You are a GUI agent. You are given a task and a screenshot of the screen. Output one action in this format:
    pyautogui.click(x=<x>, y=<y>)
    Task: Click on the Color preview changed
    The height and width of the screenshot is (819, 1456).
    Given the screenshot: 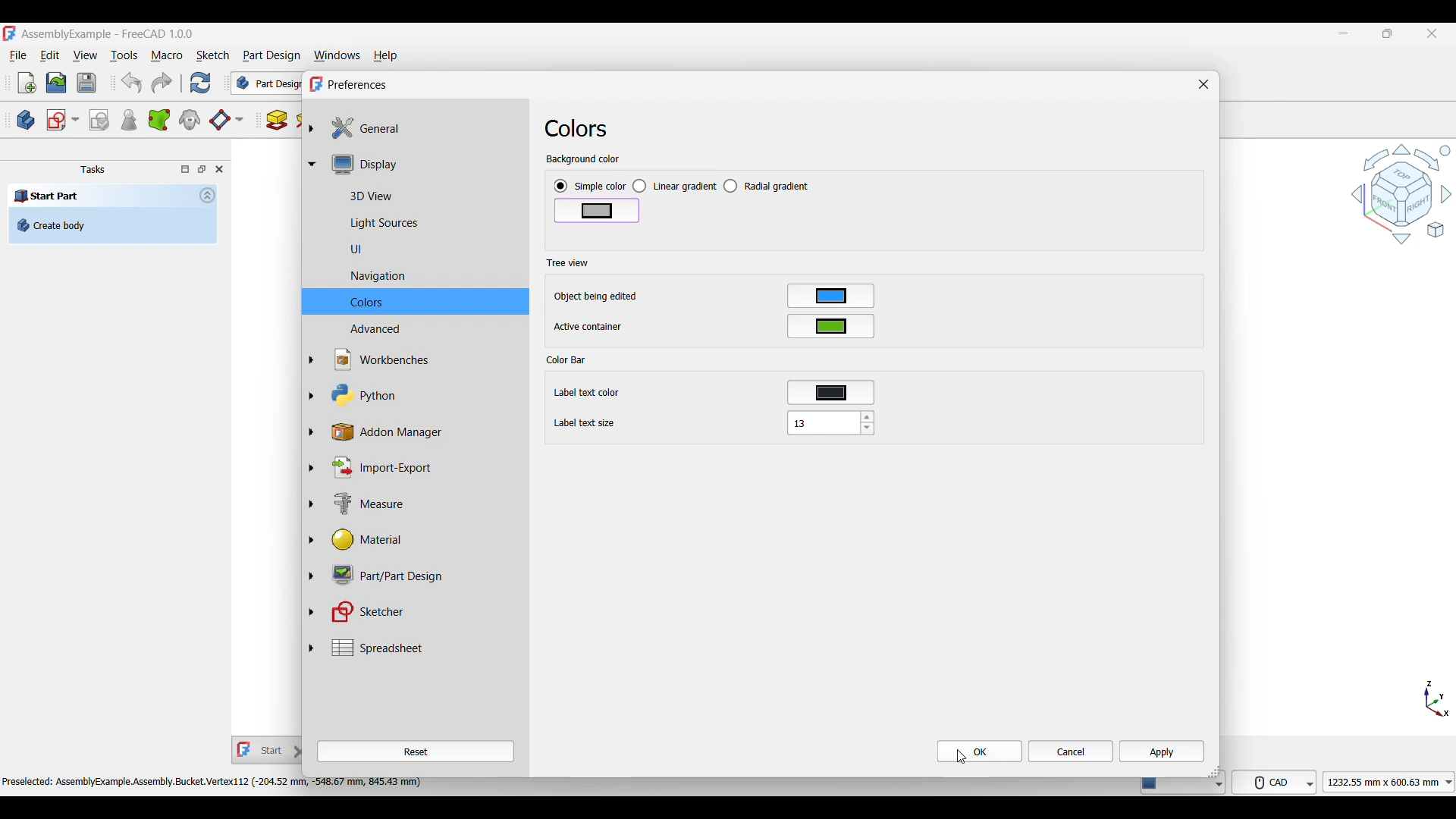 What is the action you would take?
    pyautogui.click(x=597, y=211)
    